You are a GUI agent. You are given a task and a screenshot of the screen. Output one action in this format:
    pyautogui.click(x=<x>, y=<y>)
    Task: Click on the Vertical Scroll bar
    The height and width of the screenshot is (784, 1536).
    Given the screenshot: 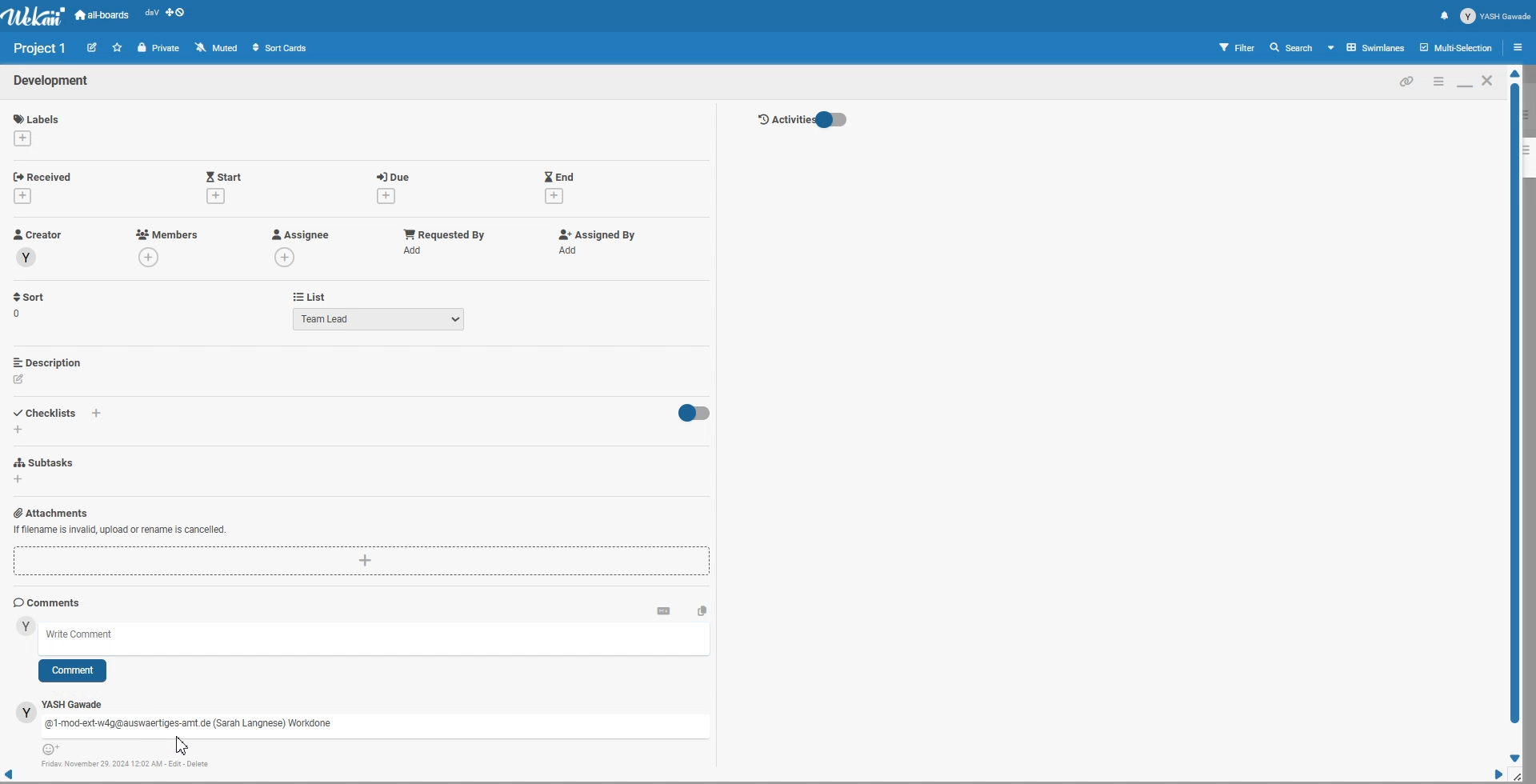 What is the action you would take?
    pyautogui.click(x=1516, y=416)
    